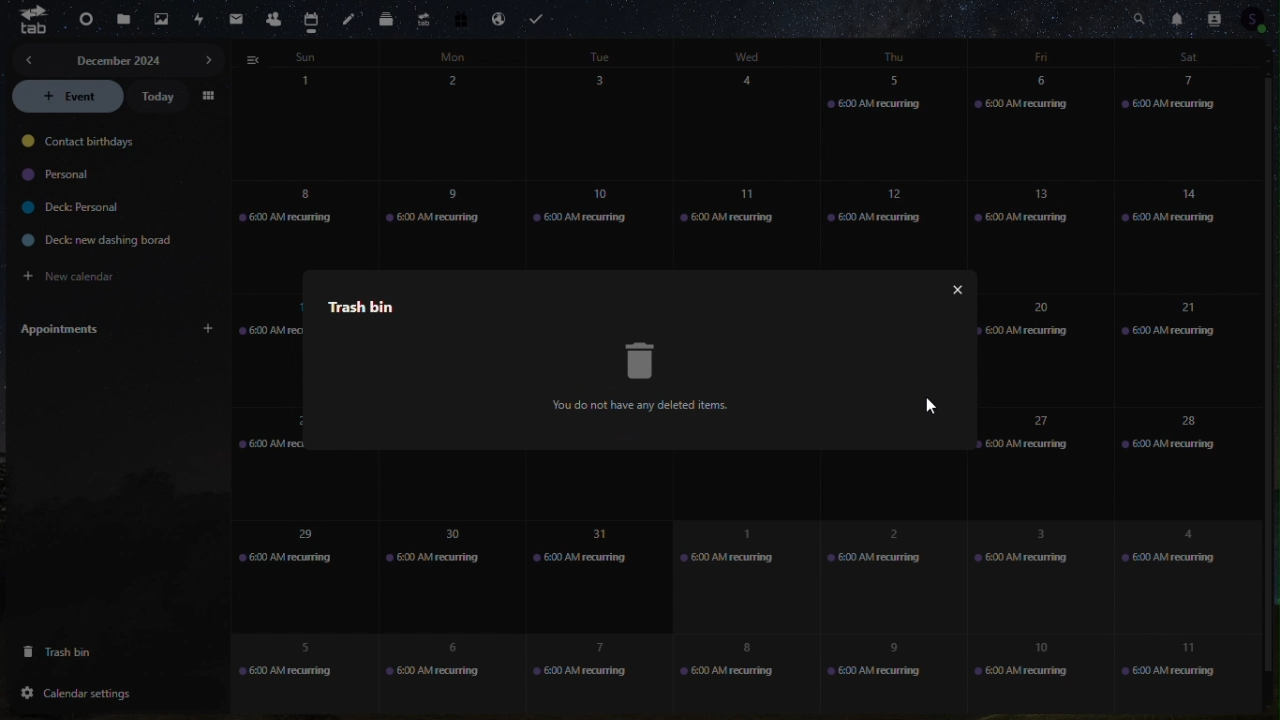  Describe the element at coordinates (115, 329) in the screenshot. I see `Appointments` at that location.